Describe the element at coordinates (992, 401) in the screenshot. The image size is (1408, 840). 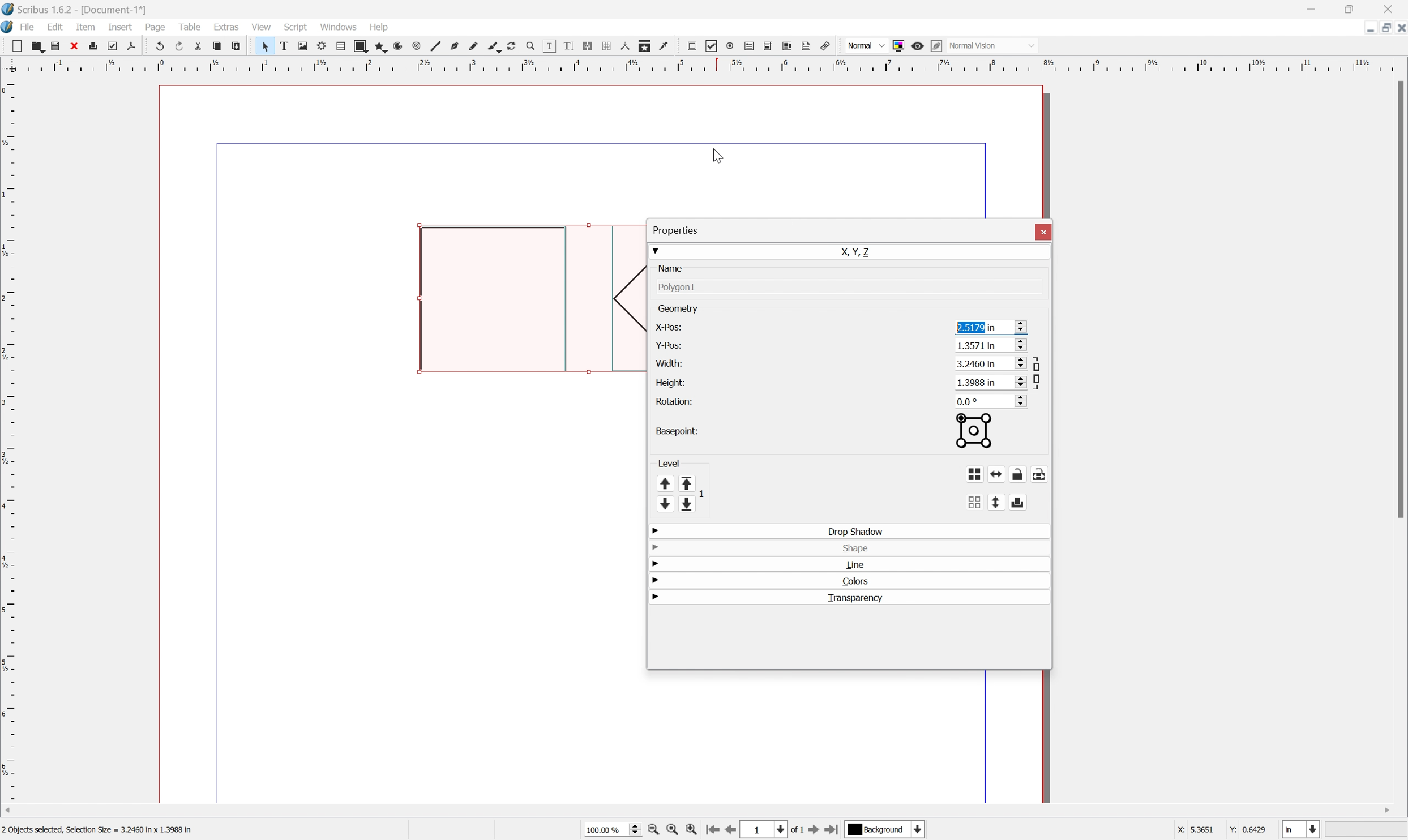
I see `0.0` at that location.